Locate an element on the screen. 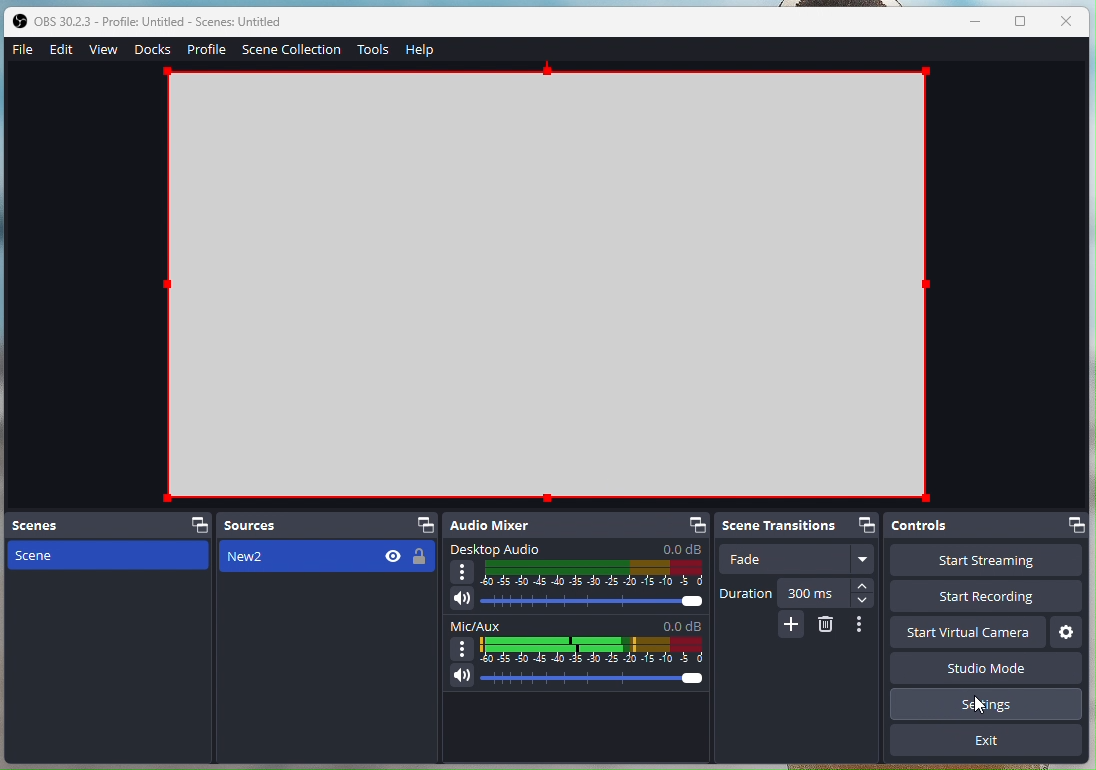 The height and width of the screenshot is (770, 1096). minimise is located at coordinates (981, 21).